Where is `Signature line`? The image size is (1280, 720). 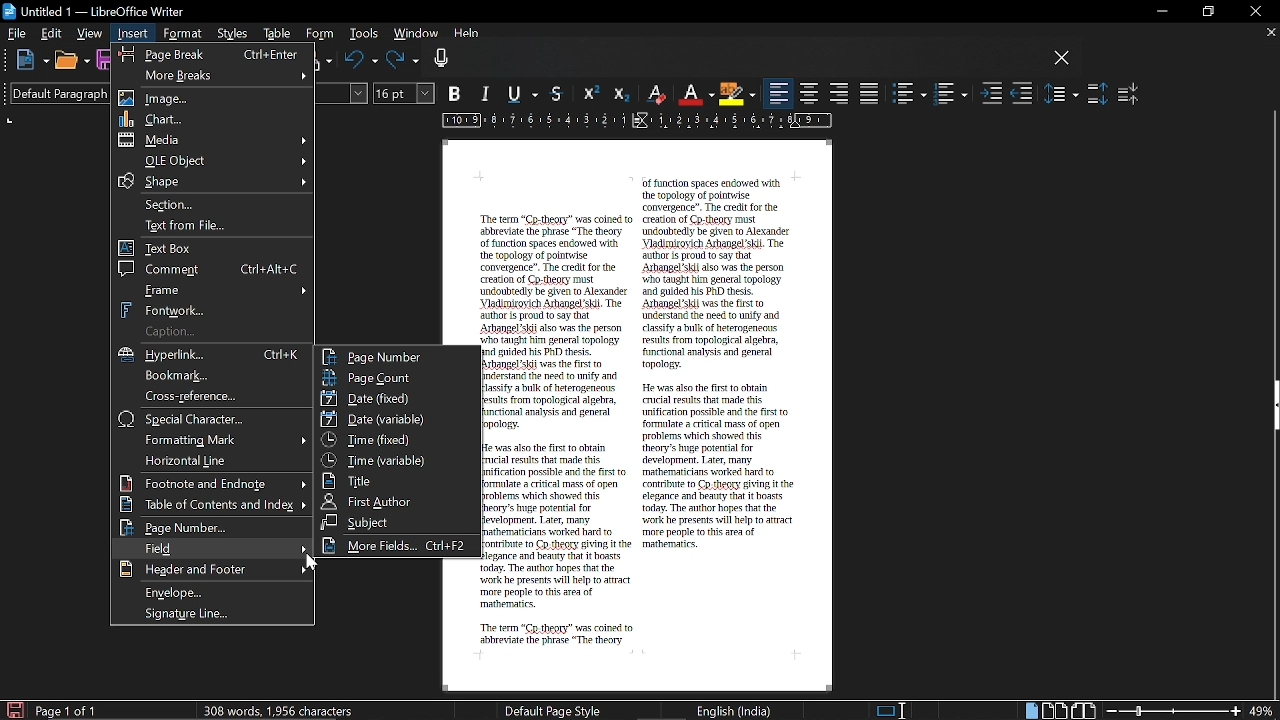
Signature line is located at coordinates (217, 614).